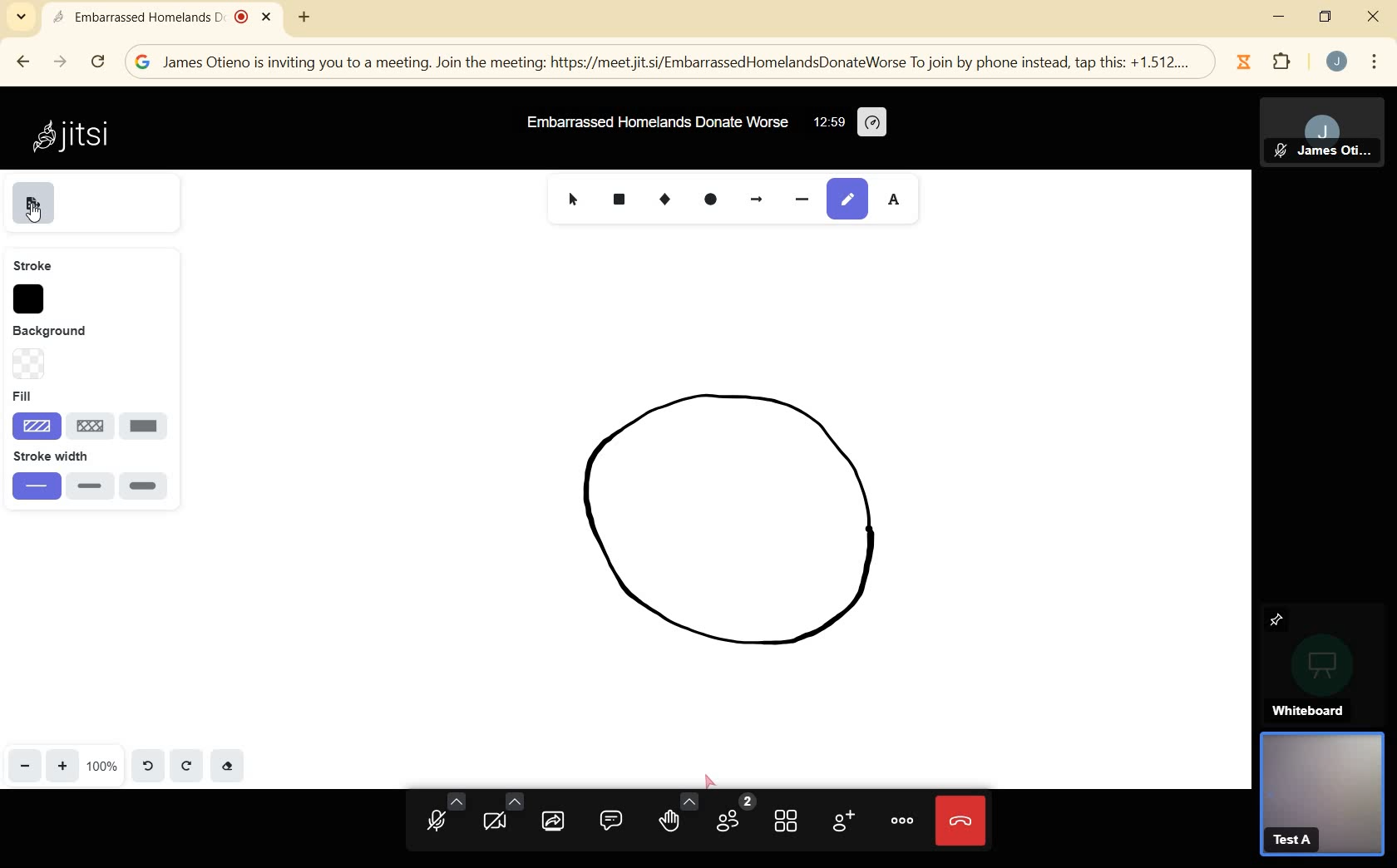  What do you see at coordinates (34, 203) in the screenshot?
I see `EXPORT` at bounding box center [34, 203].